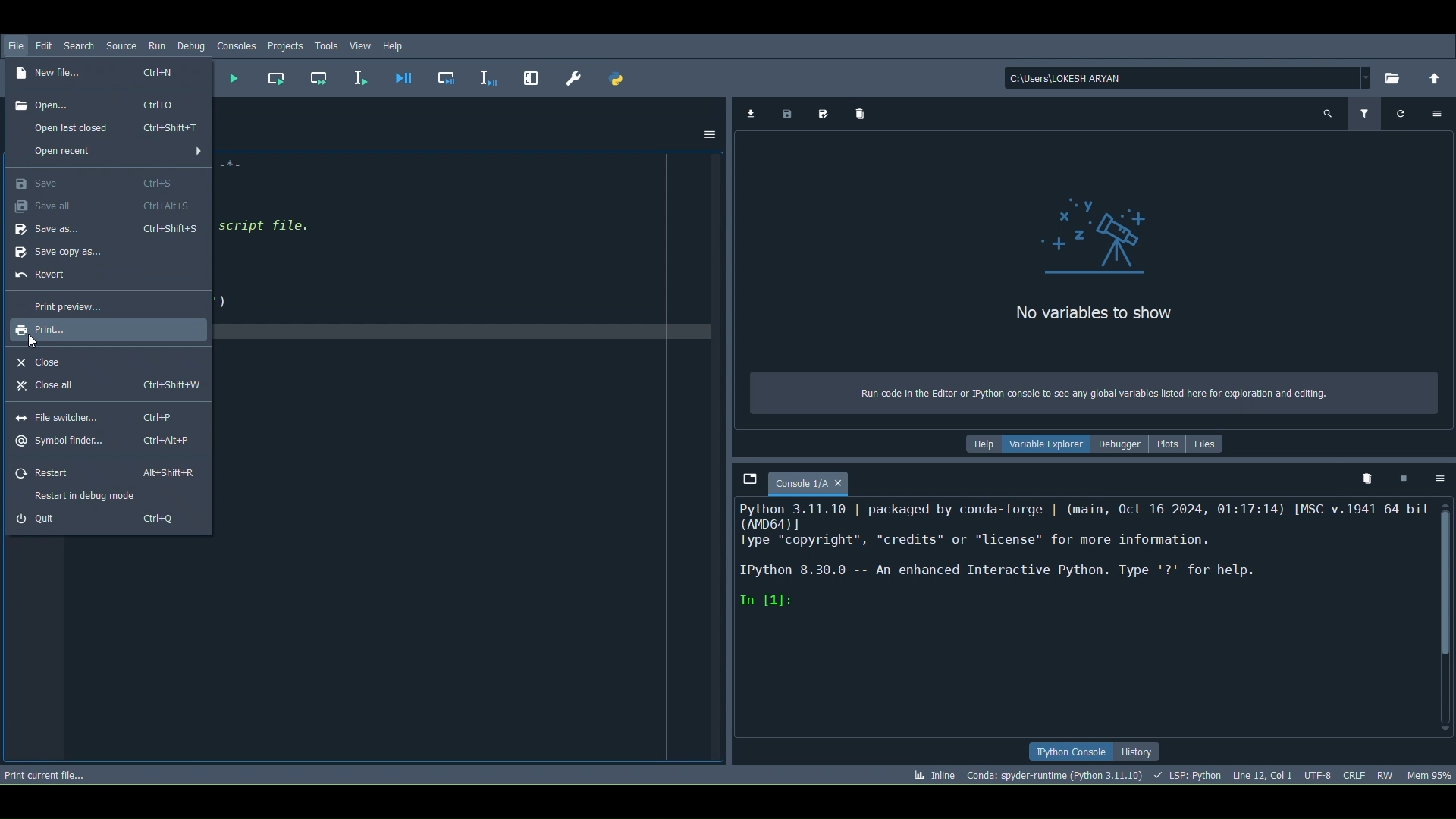  I want to click on Console, so click(819, 482).